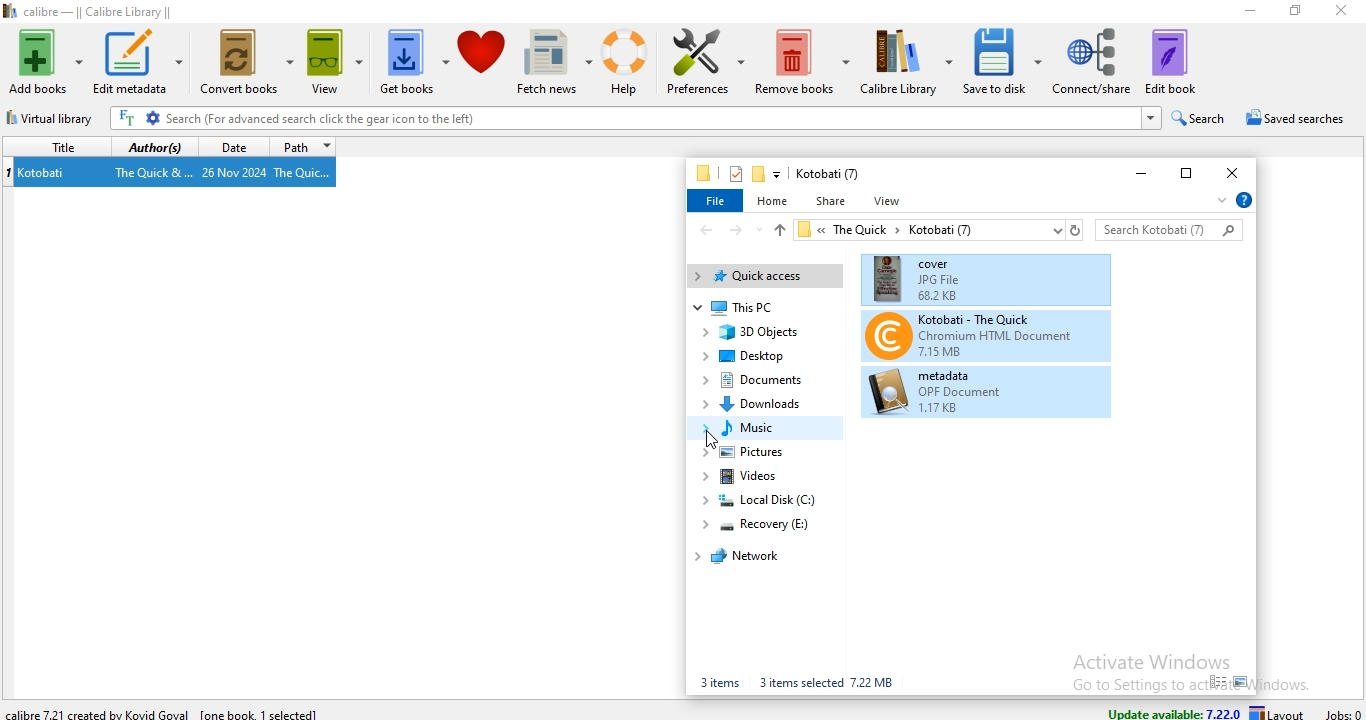 The width and height of the screenshot is (1366, 720). I want to click on large icon view, so click(1242, 682).